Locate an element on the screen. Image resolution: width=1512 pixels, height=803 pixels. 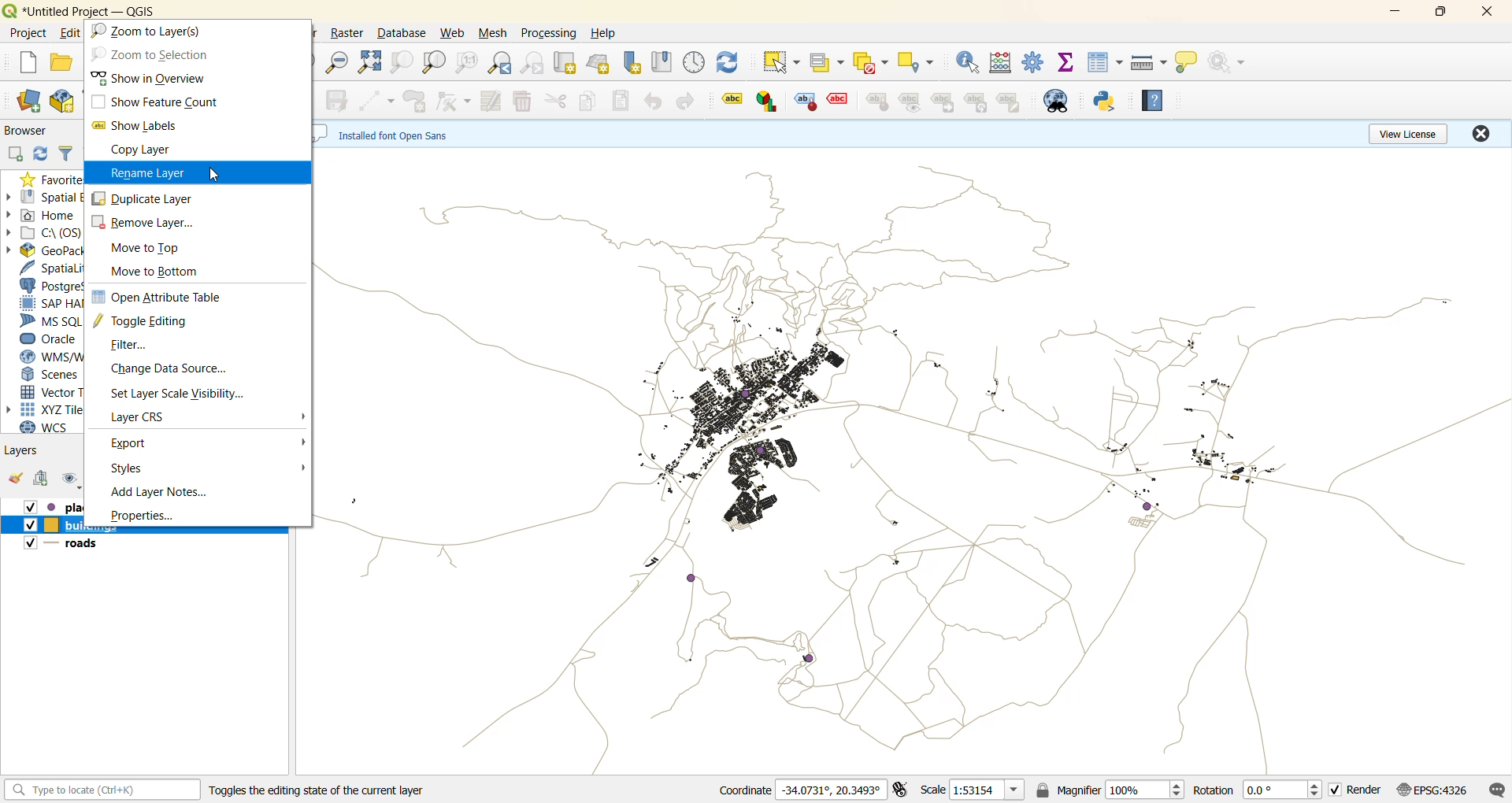
graph is located at coordinates (767, 101).